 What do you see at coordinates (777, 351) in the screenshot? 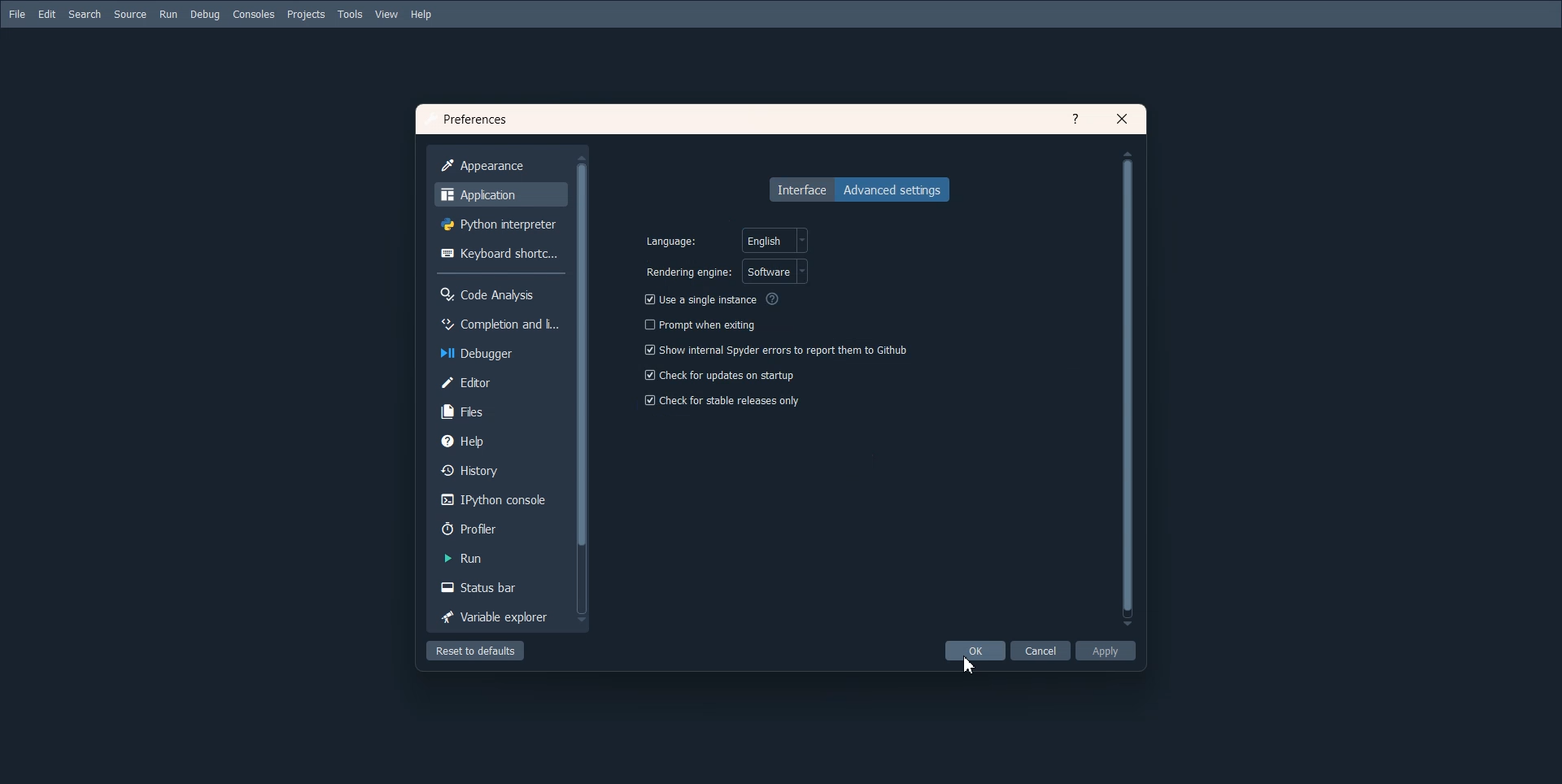
I see `Show internal spyder errors to report them to Github` at bounding box center [777, 351].